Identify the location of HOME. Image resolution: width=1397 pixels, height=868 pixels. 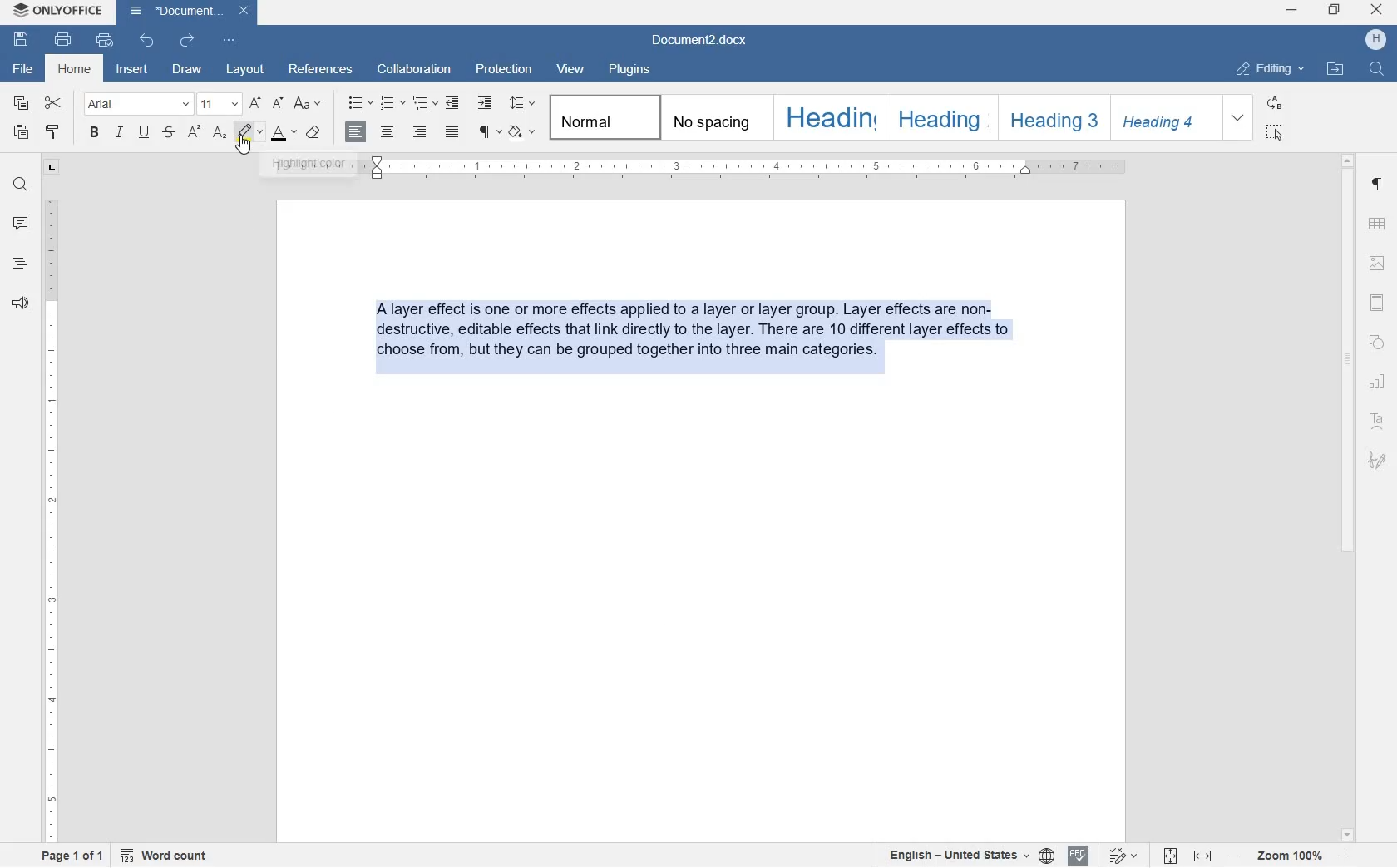
(76, 69).